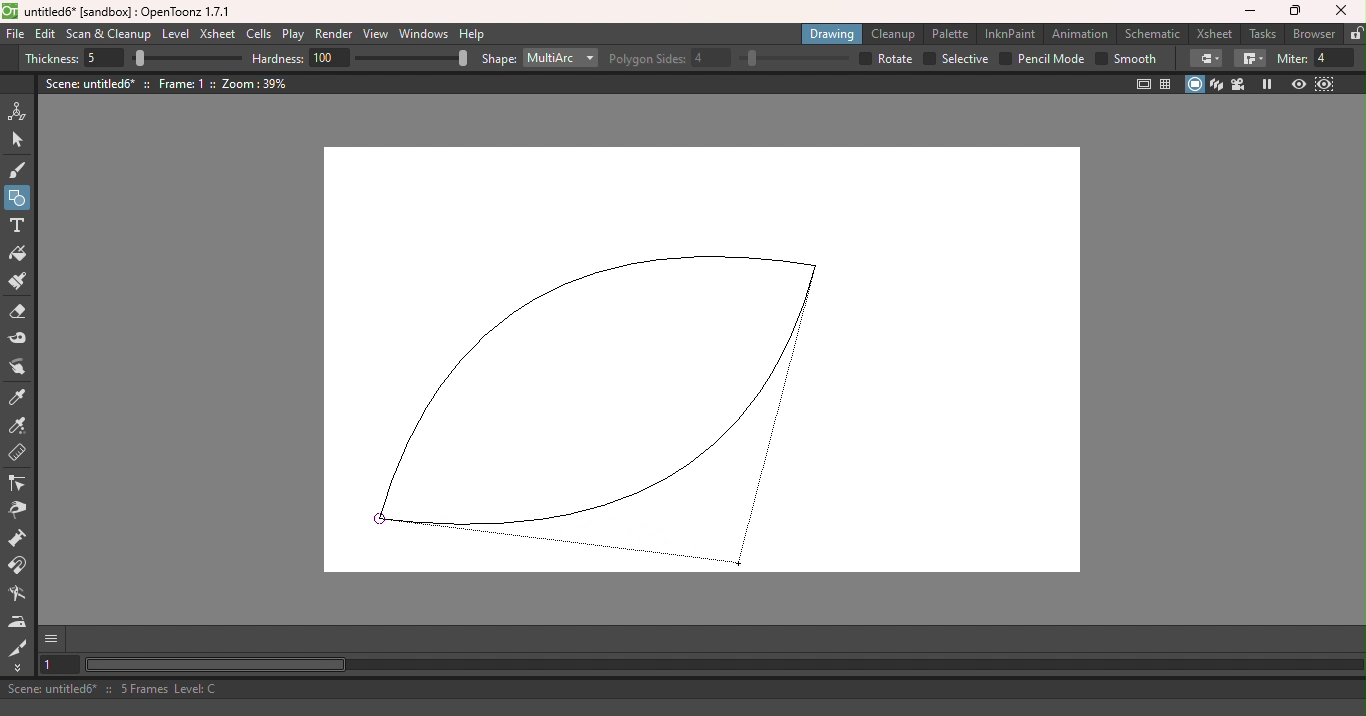  I want to click on Camera view, so click(1238, 85).